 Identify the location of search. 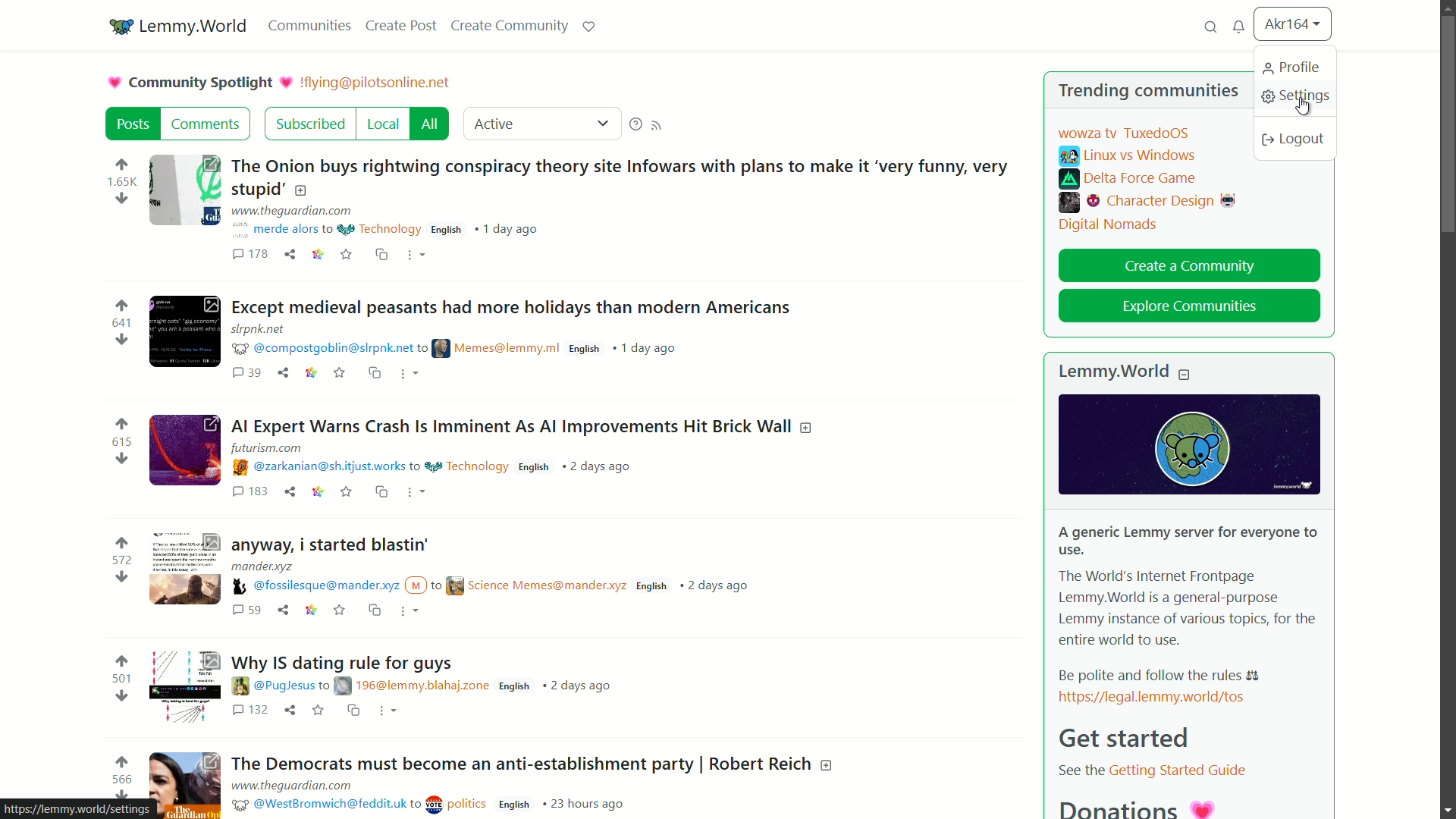
(1210, 27).